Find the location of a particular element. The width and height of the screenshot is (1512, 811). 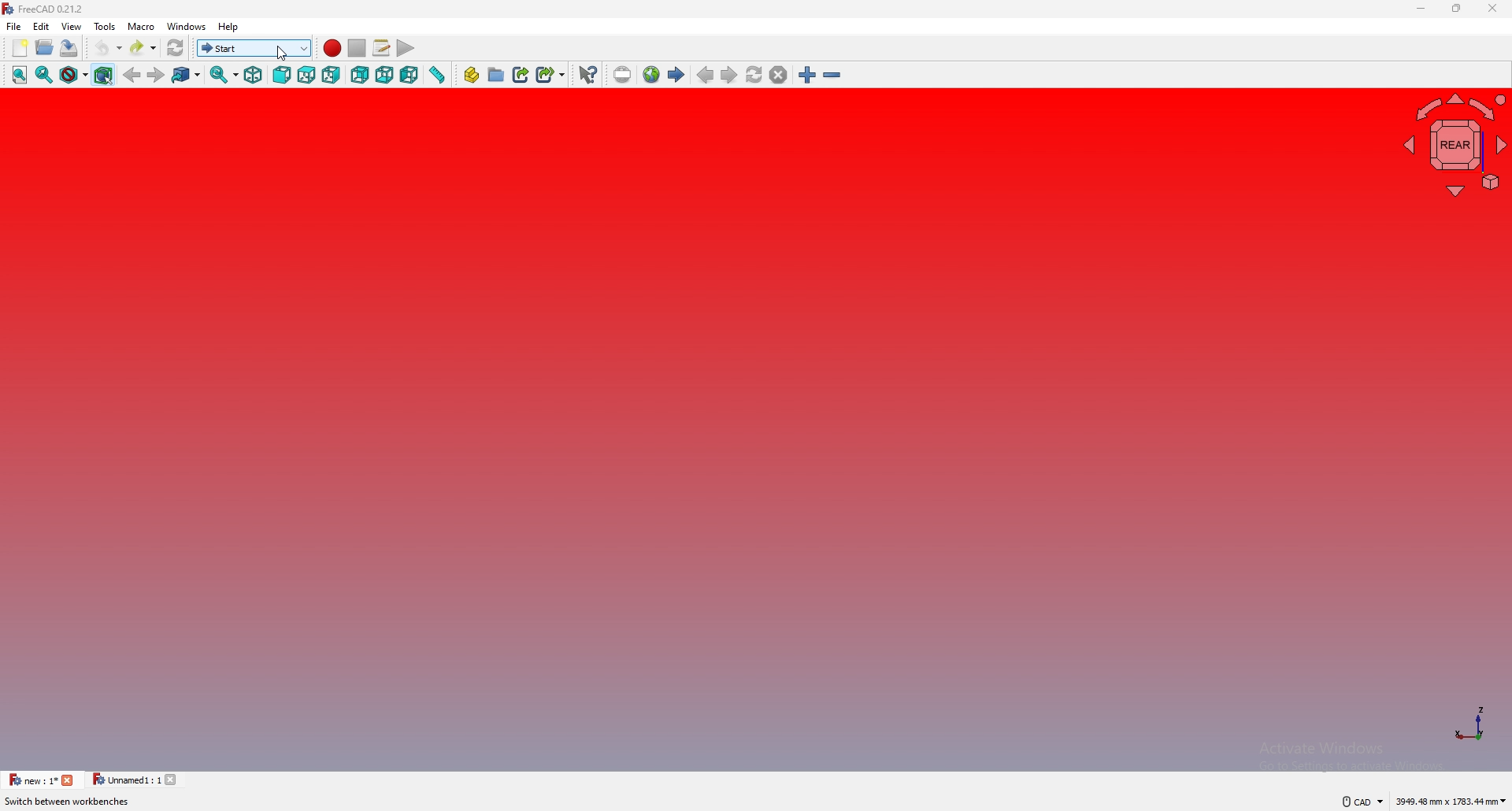

go to linked object is located at coordinates (187, 74).